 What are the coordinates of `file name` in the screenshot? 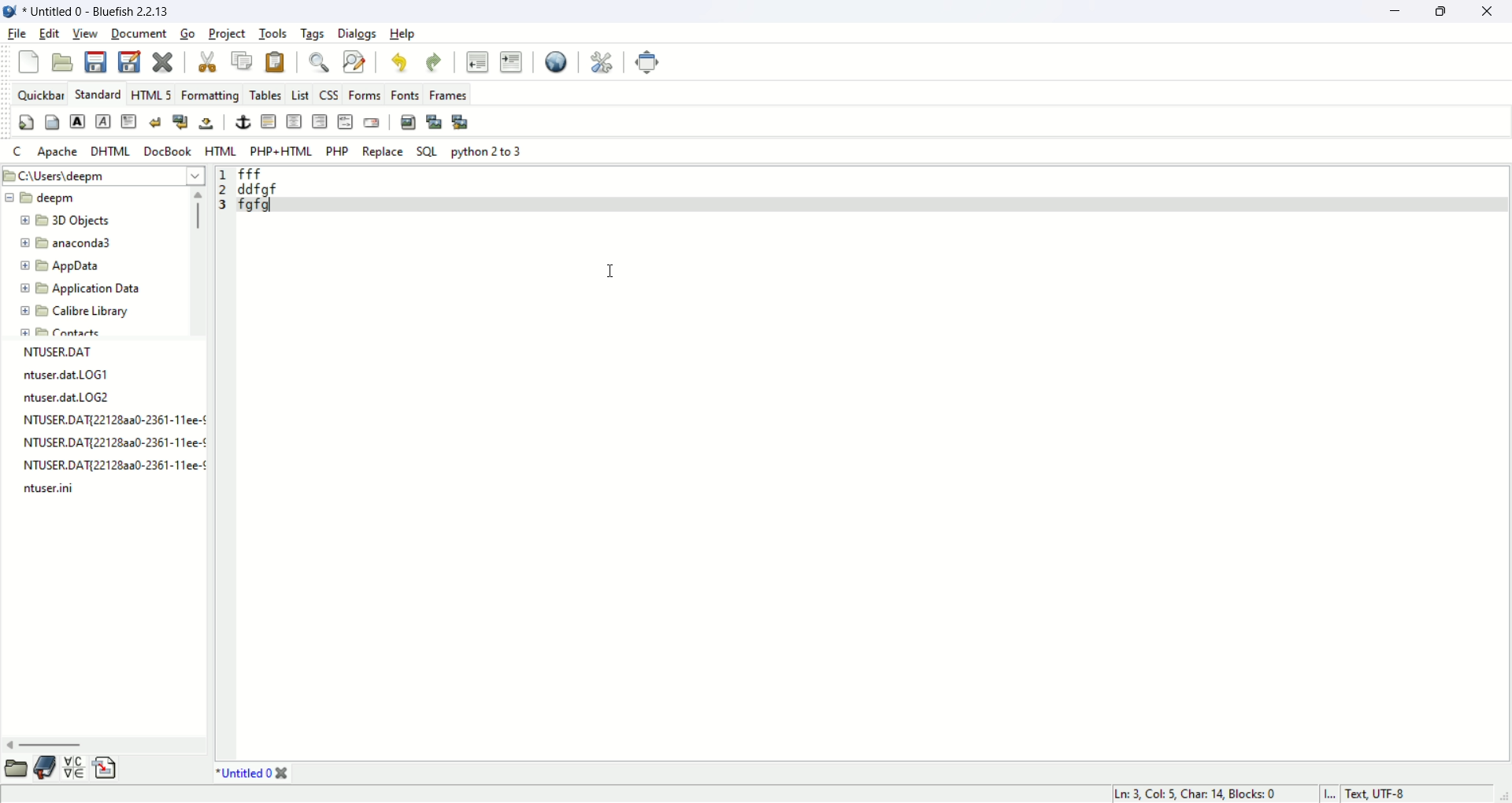 It's located at (109, 444).